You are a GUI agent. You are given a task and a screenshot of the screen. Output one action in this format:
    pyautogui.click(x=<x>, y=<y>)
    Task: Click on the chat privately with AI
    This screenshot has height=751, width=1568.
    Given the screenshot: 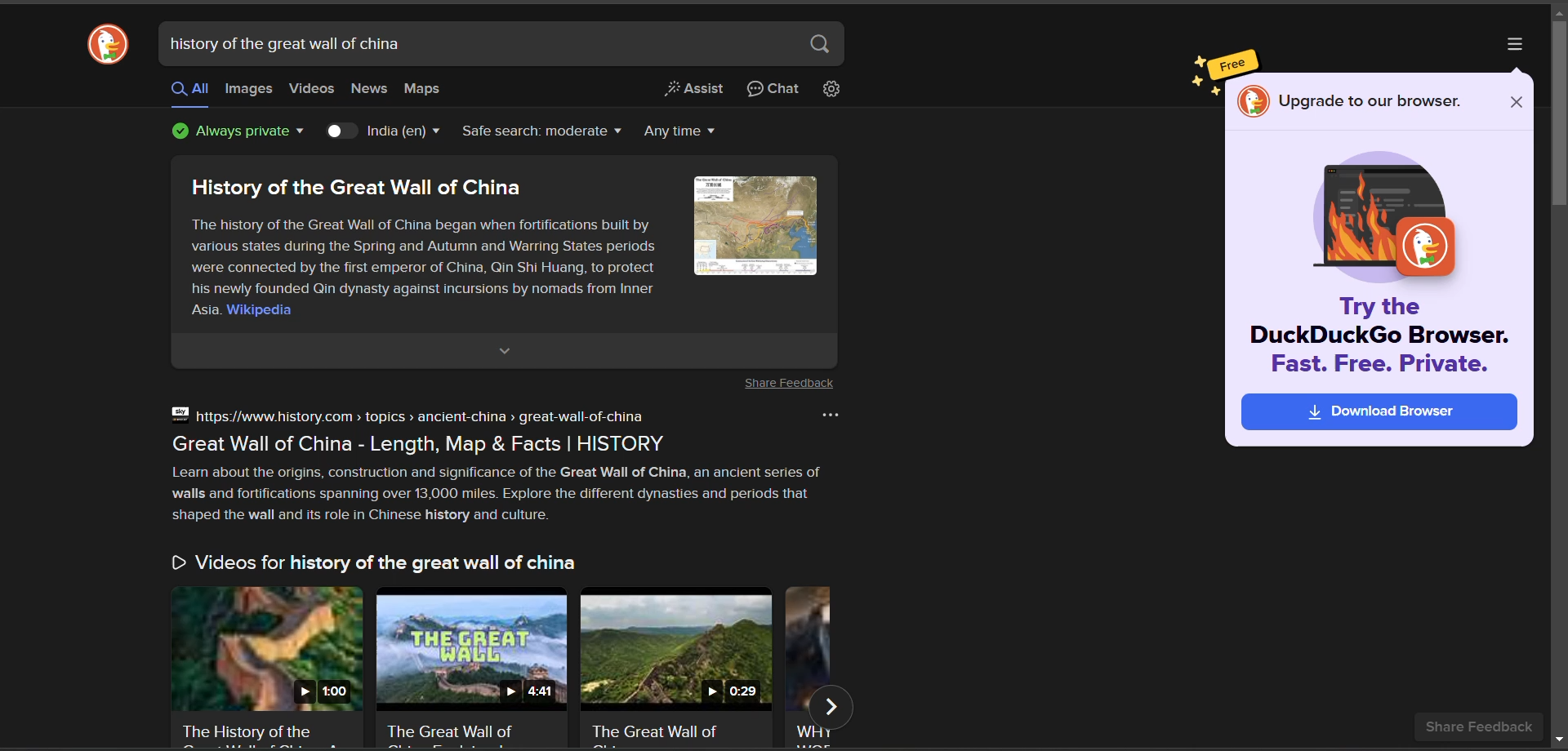 What is the action you would take?
    pyautogui.click(x=772, y=91)
    